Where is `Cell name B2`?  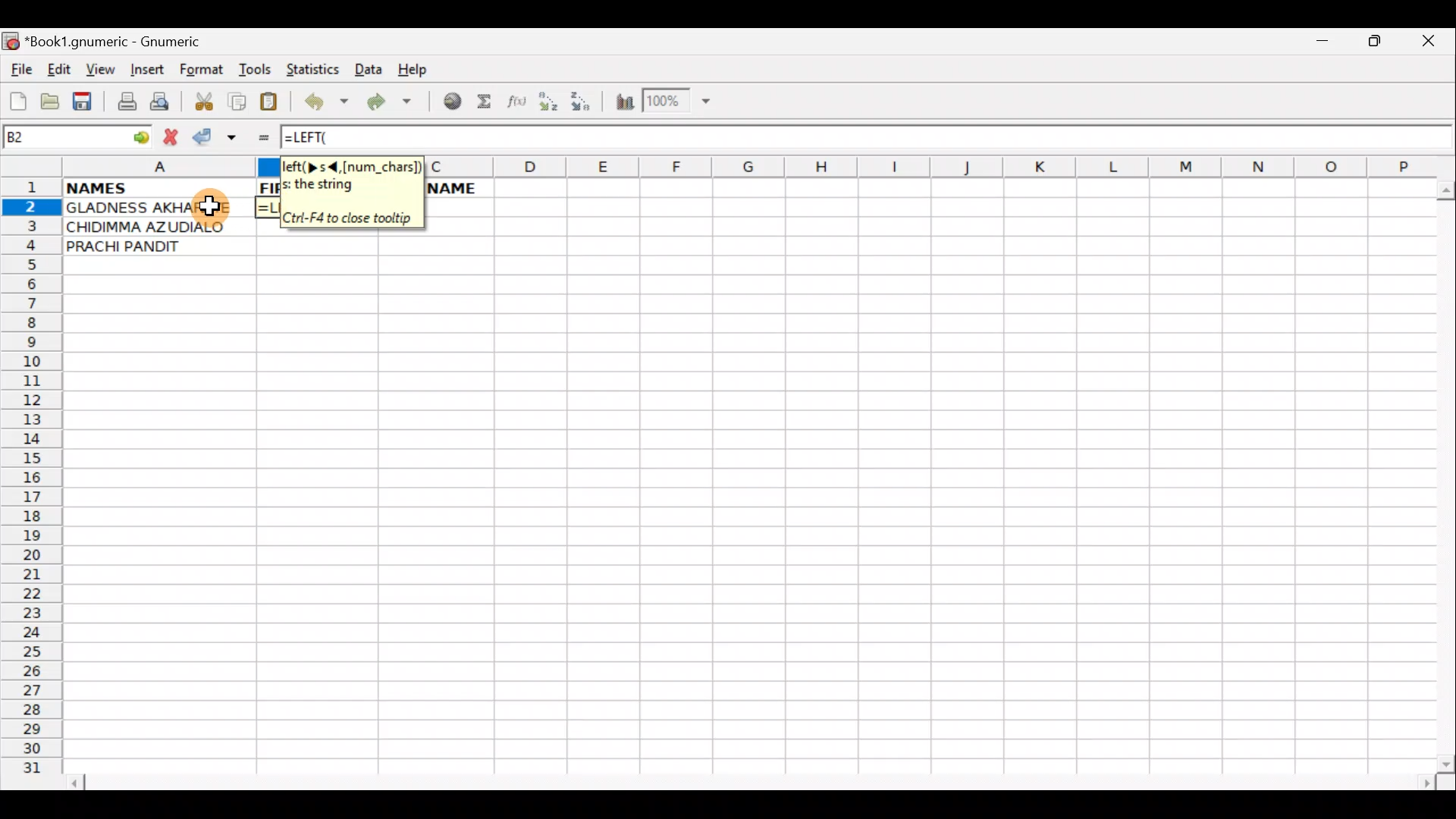
Cell name B2 is located at coordinates (58, 137).